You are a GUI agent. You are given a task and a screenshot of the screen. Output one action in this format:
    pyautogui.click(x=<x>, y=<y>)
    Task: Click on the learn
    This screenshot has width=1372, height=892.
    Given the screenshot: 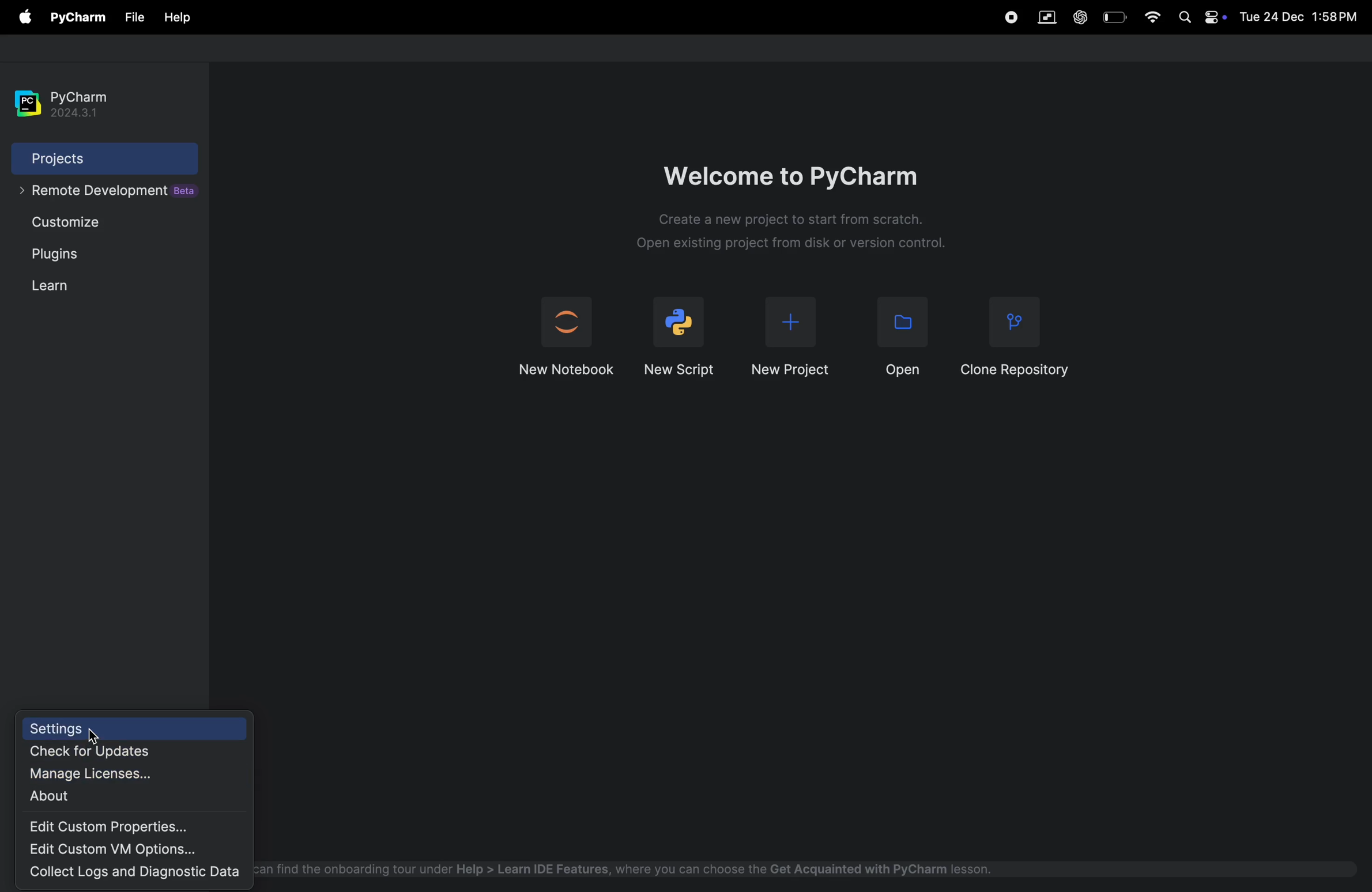 What is the action you would take?
    pyautogui.click(x=50, y=286)
    